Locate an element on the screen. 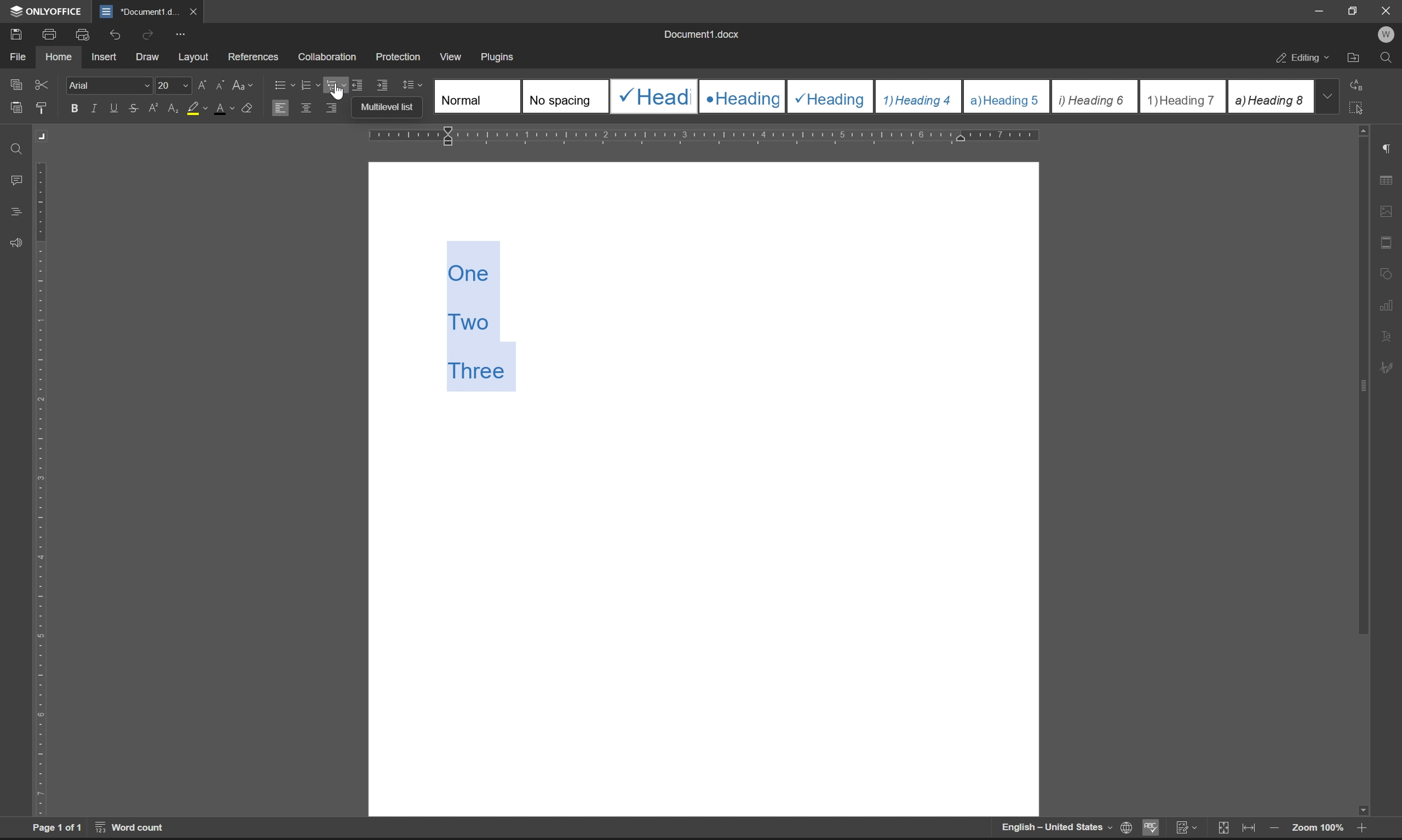  Heading 6 is located at coordinates (1094, 97).